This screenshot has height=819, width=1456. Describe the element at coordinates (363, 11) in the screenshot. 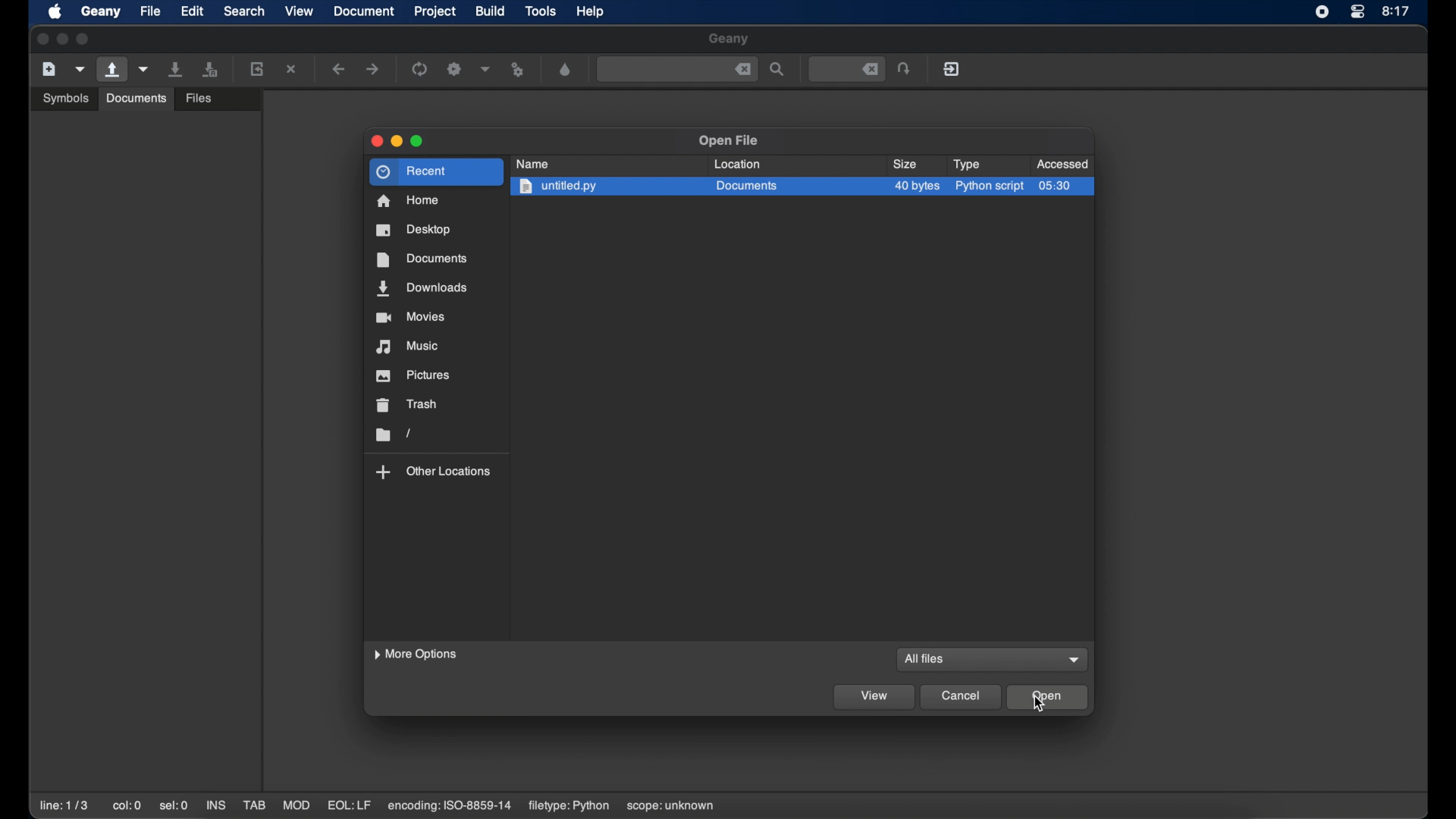

I see `document` at that location.